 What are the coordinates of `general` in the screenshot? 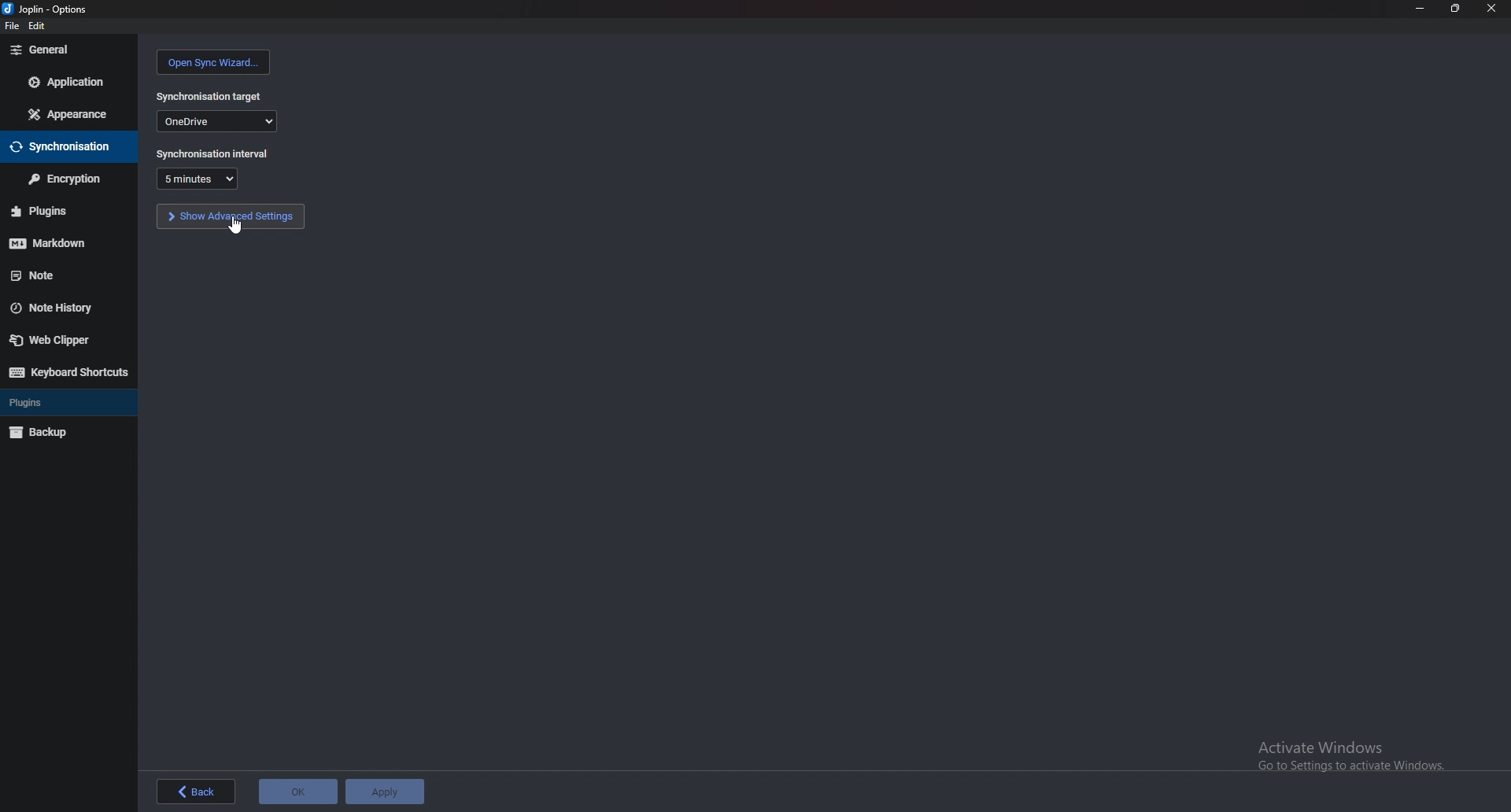 It's located at (67, 51).